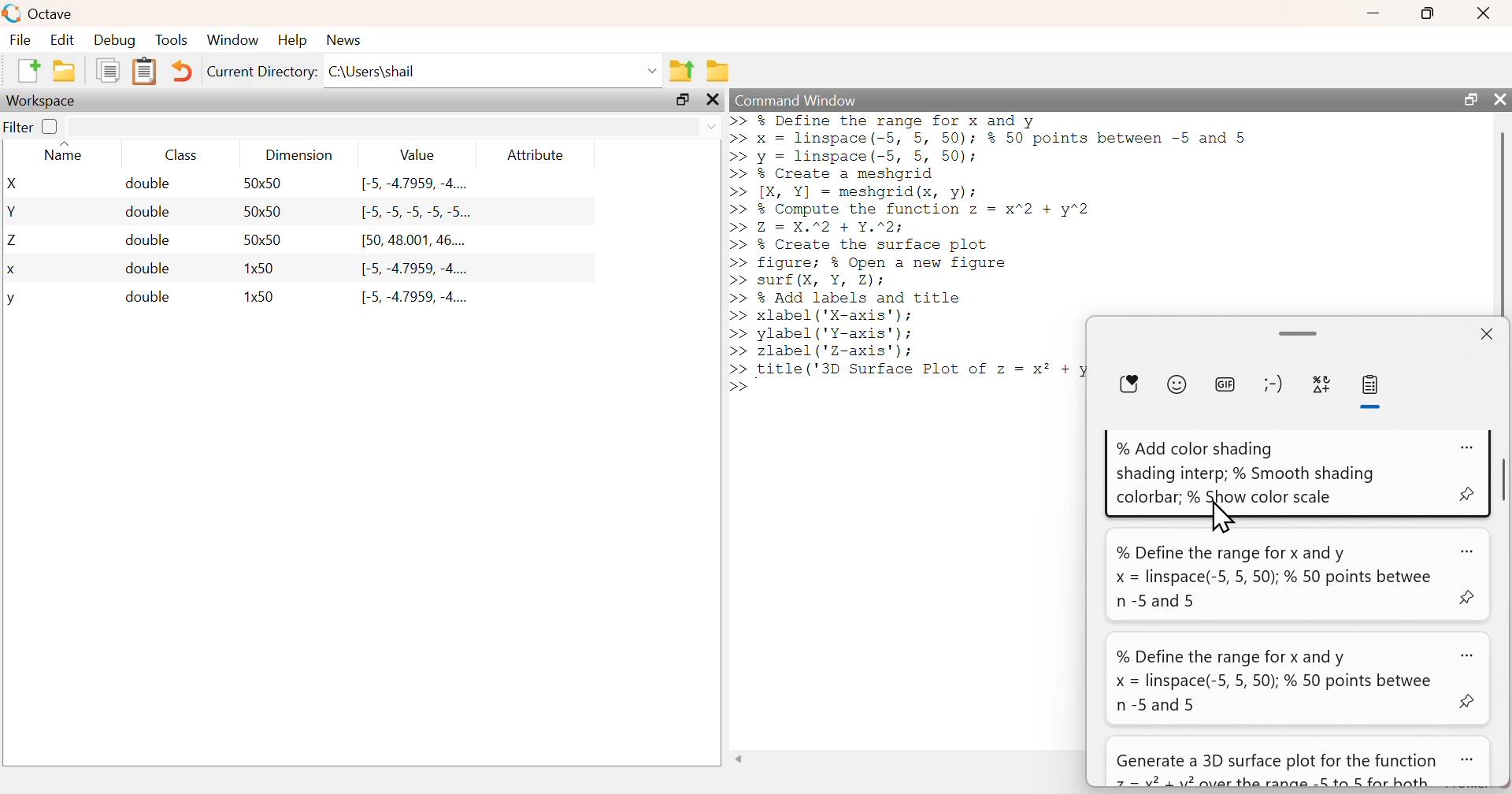 Image resolution: width=1512 pixels, height=794 pixels. Describe the element at coordinates (710, 128) in the screenshot. I see `dropdown` at that location.